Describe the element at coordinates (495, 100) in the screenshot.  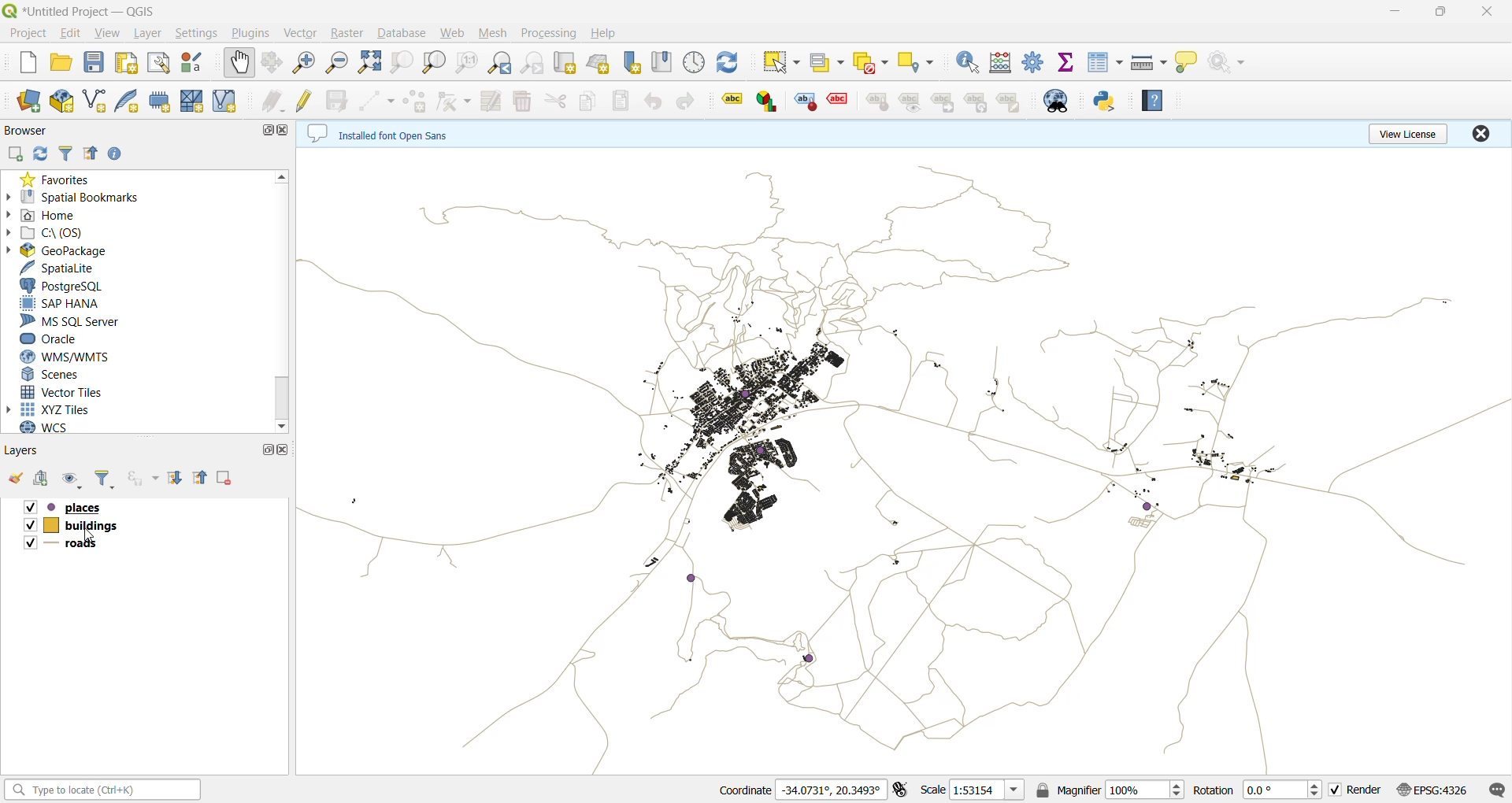
I see `modify` at that location.